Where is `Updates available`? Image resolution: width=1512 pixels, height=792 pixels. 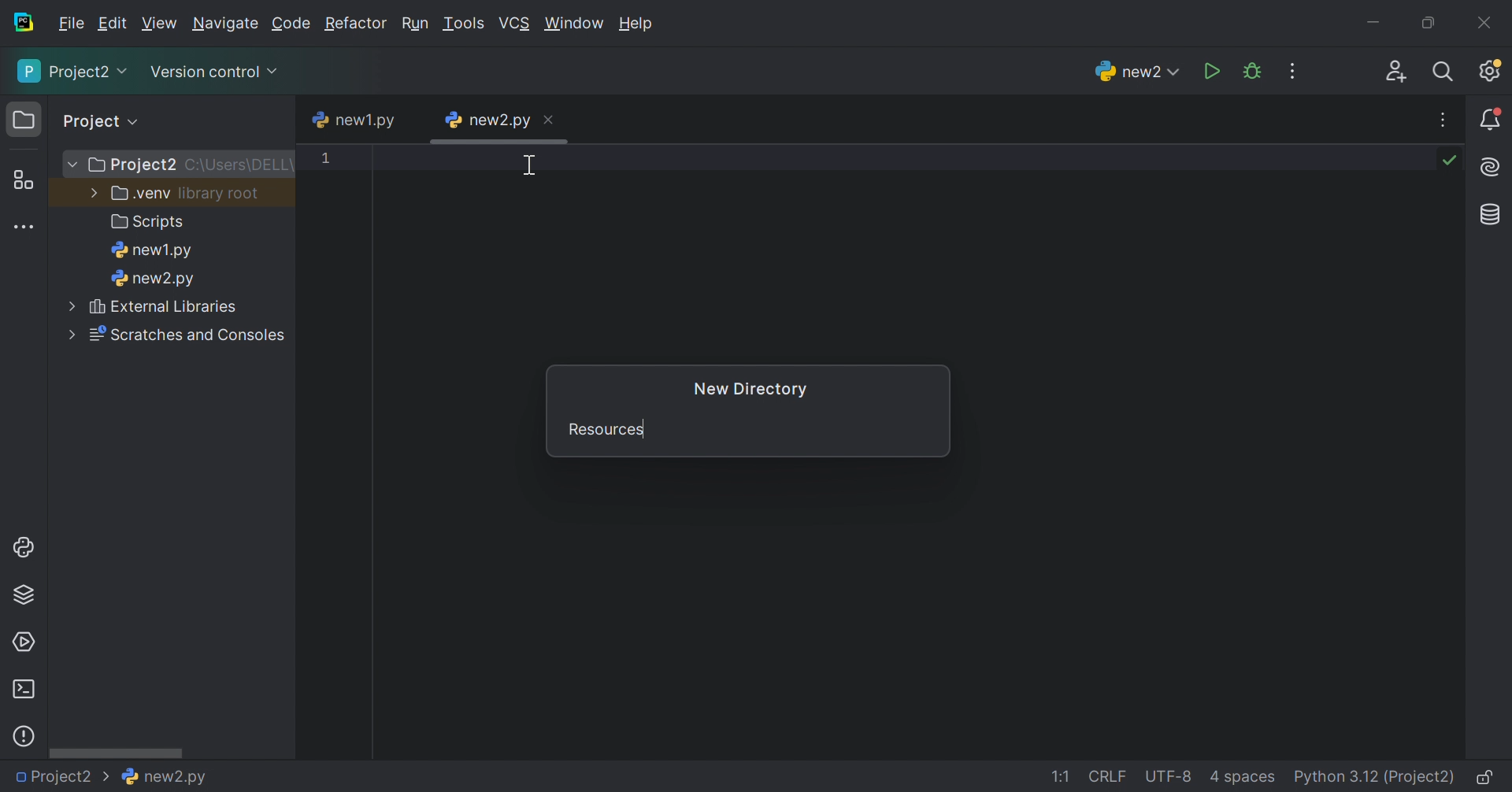 Updates available is located at coordinates (1488, 72).